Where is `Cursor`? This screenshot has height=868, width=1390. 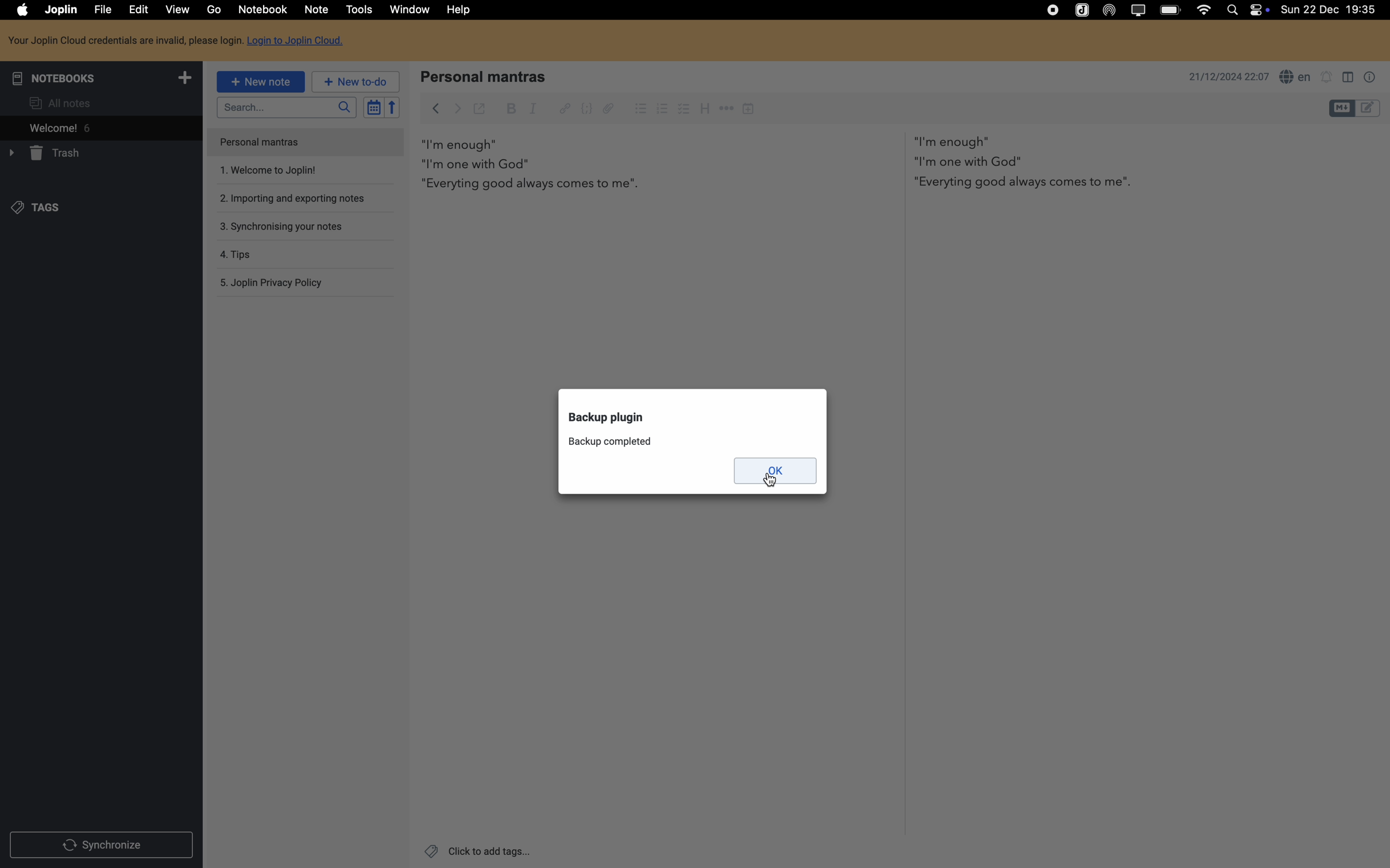 Cursor is located at coordinates (773, 483).